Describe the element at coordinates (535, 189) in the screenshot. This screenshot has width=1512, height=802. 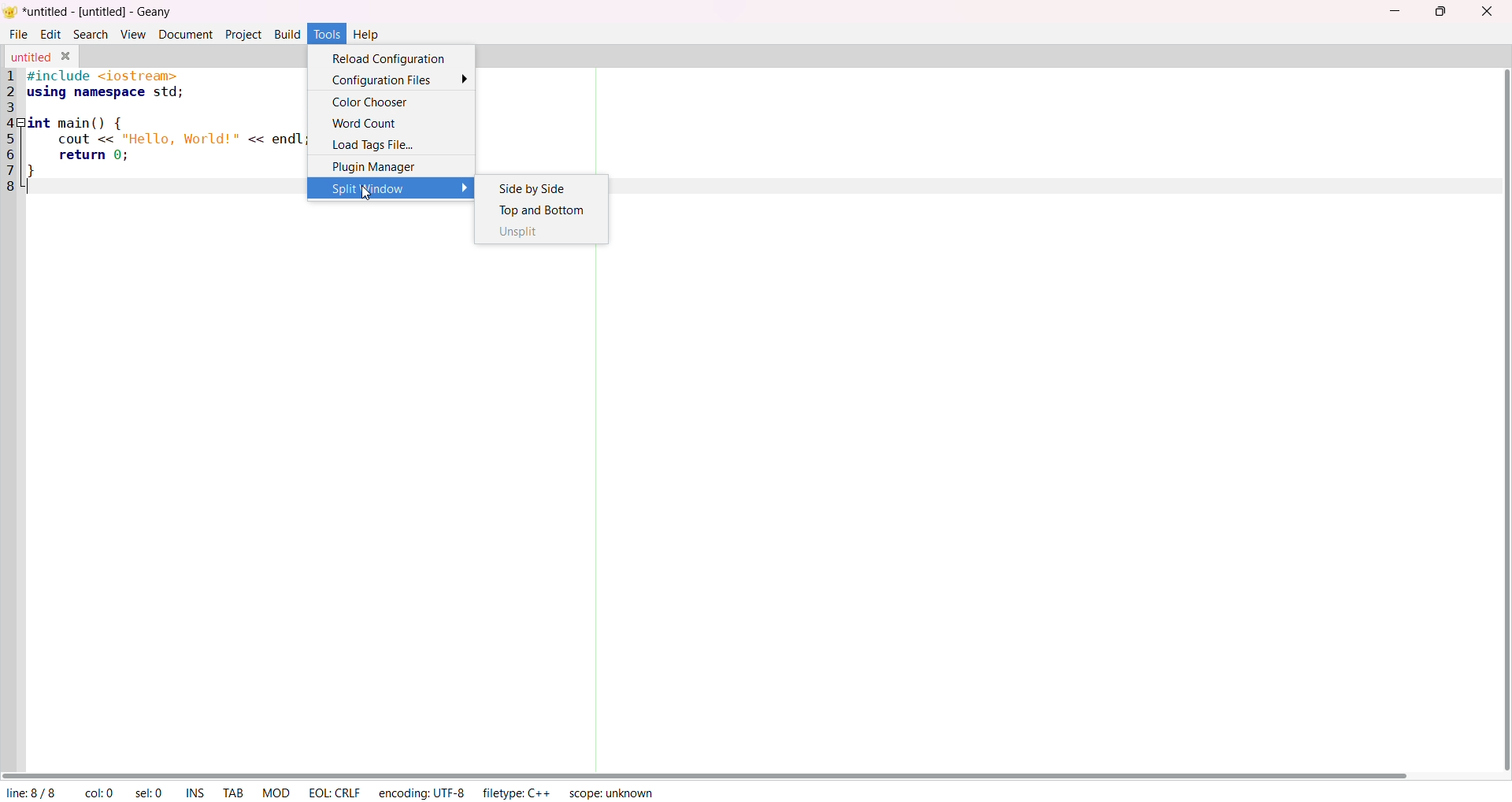
I see `Side by Side` at that location.